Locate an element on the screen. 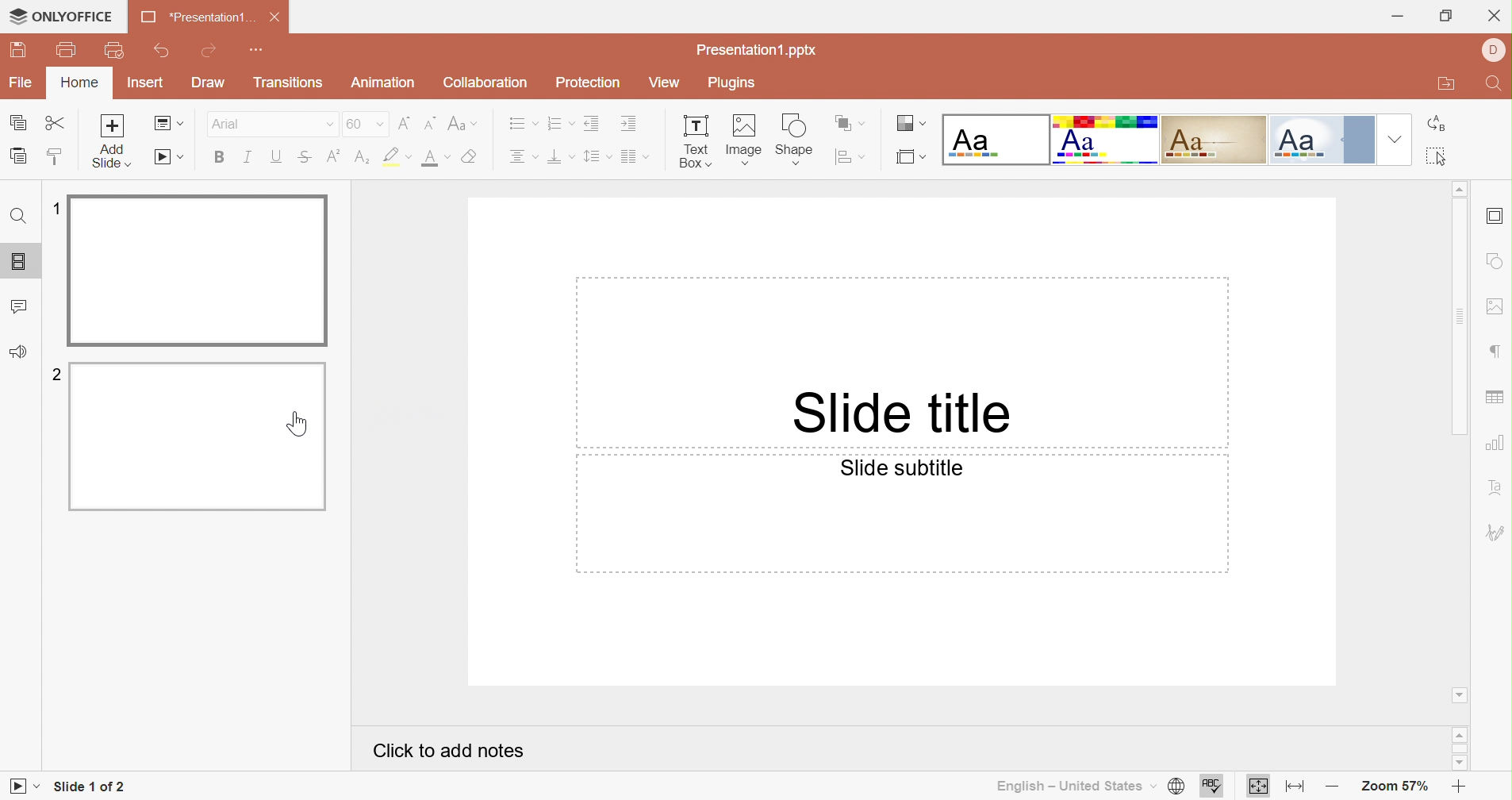  Subscript is located at coordinates (359, 156).